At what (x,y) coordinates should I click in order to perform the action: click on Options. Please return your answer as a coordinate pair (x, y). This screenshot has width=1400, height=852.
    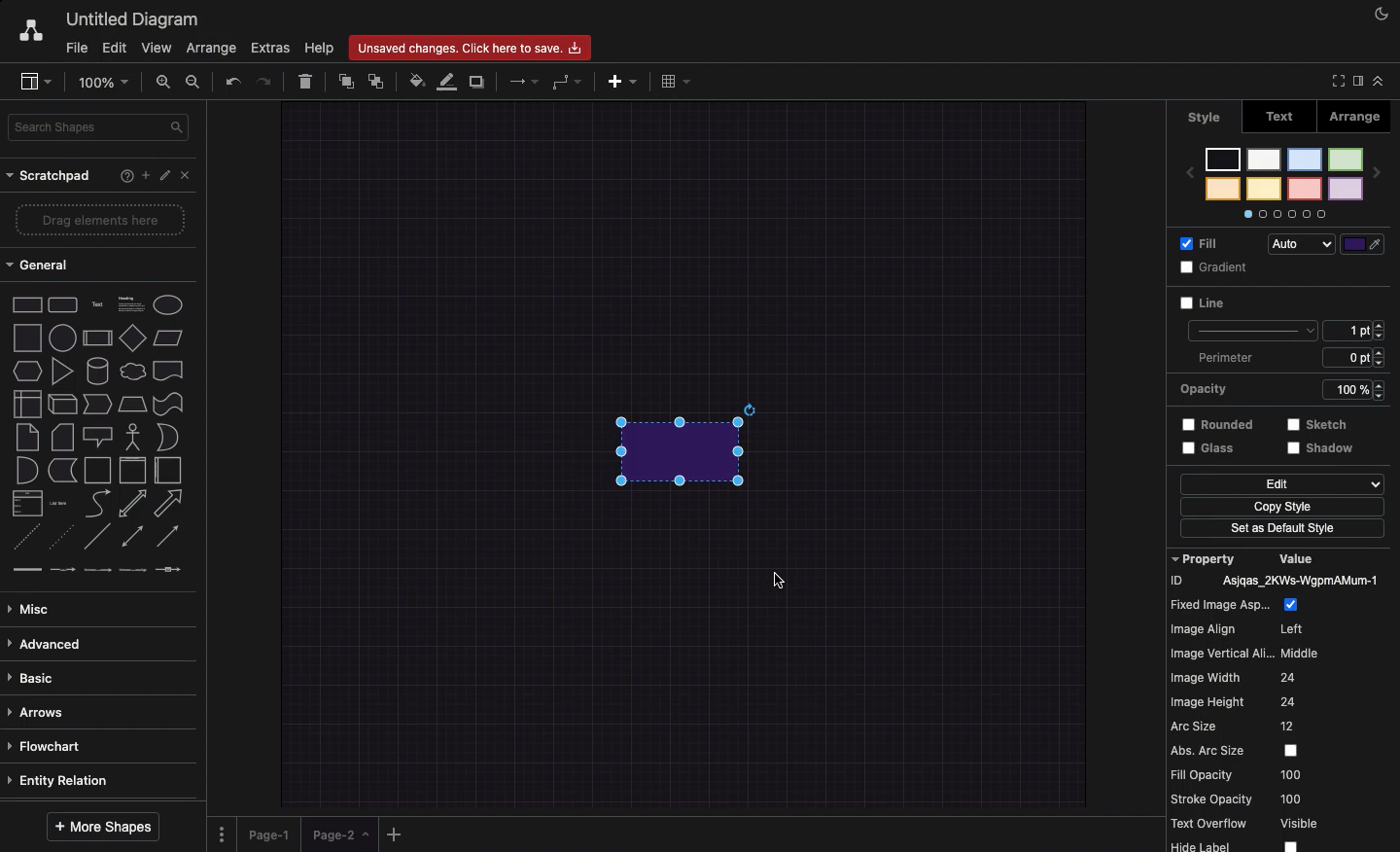
    Looking at the image, I should click on (222, 828).